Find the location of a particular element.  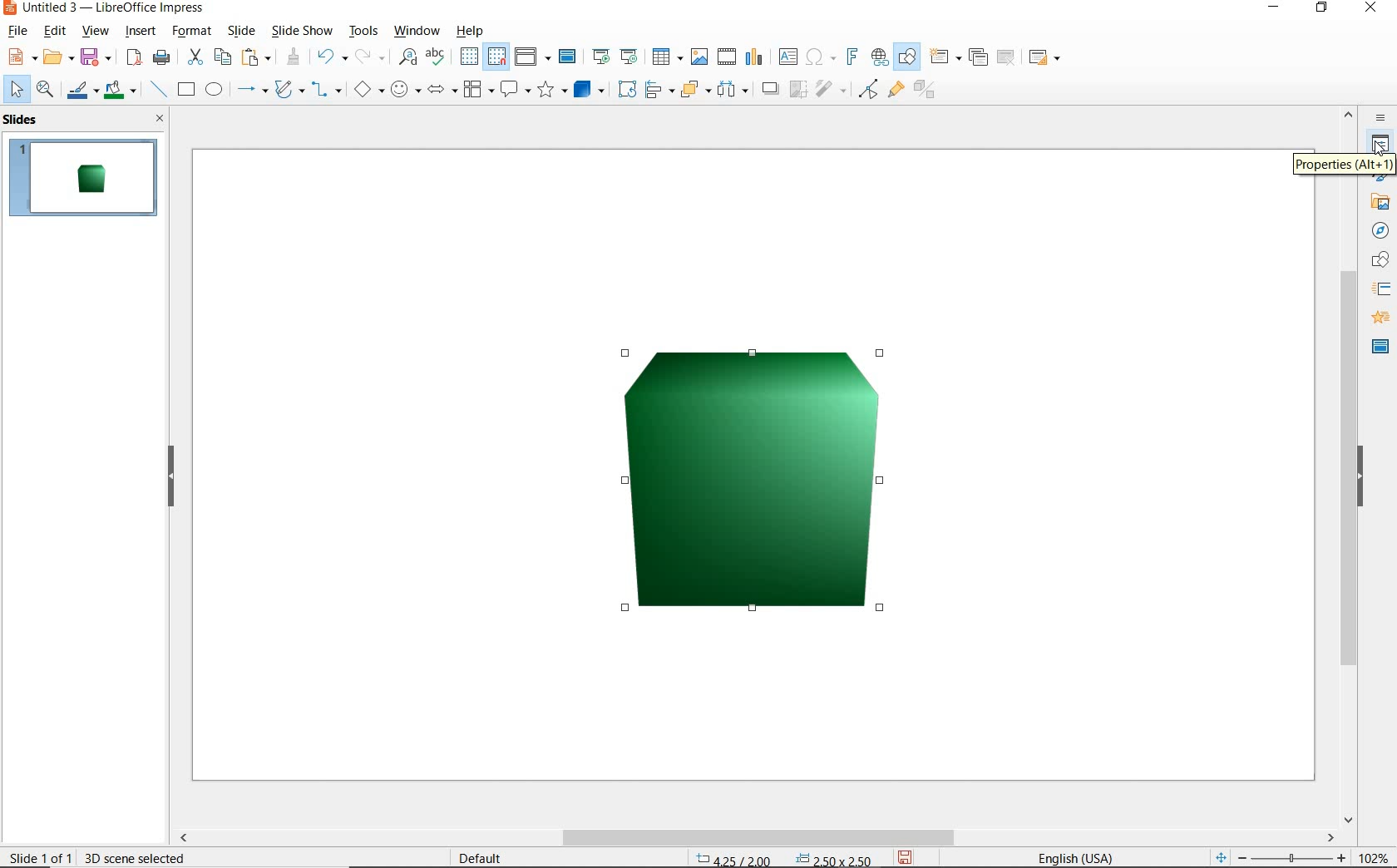

SLIDE1 is located at coordinates (84, 178).